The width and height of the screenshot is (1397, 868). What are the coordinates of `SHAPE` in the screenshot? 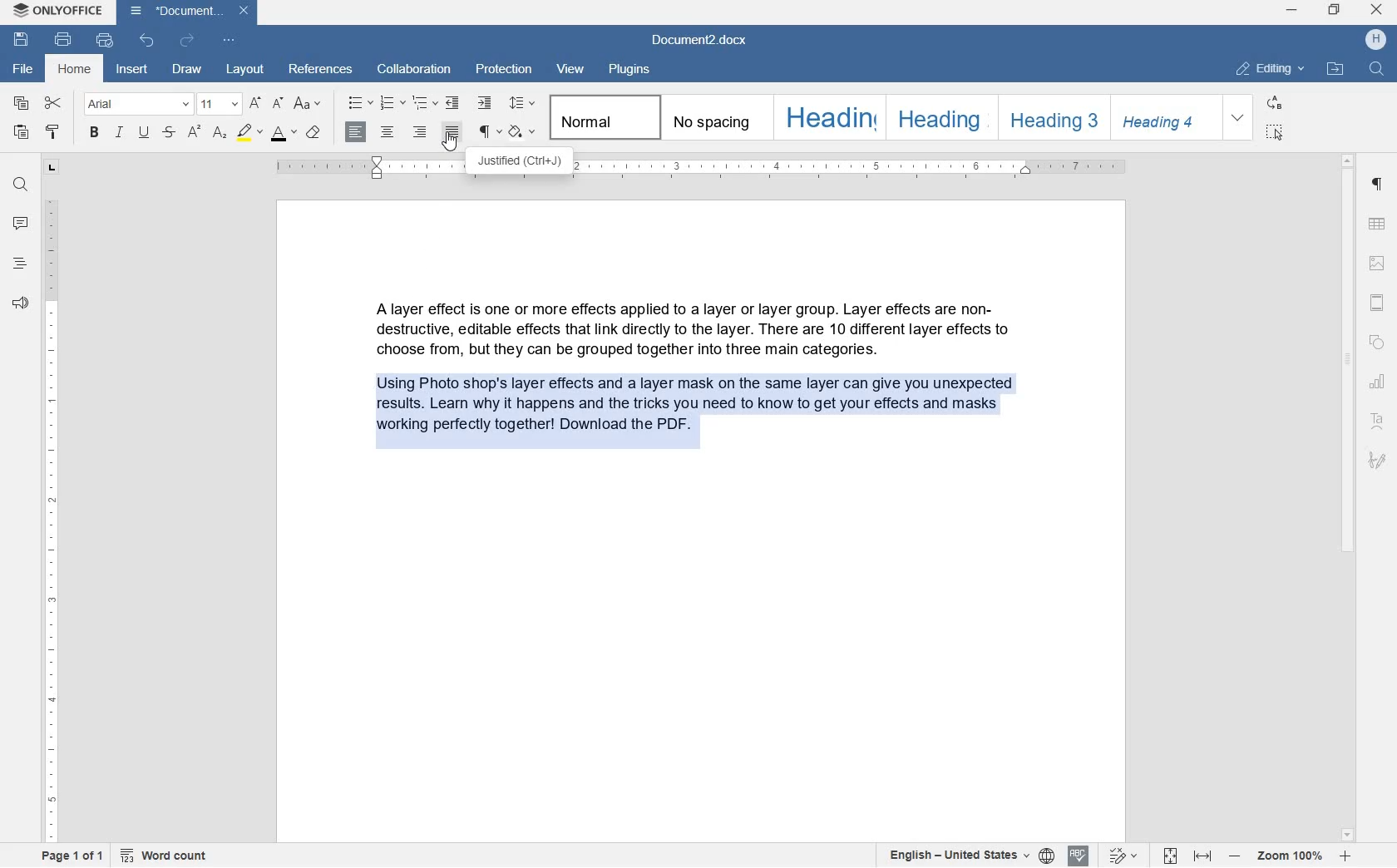 It's located at (1378, 344).